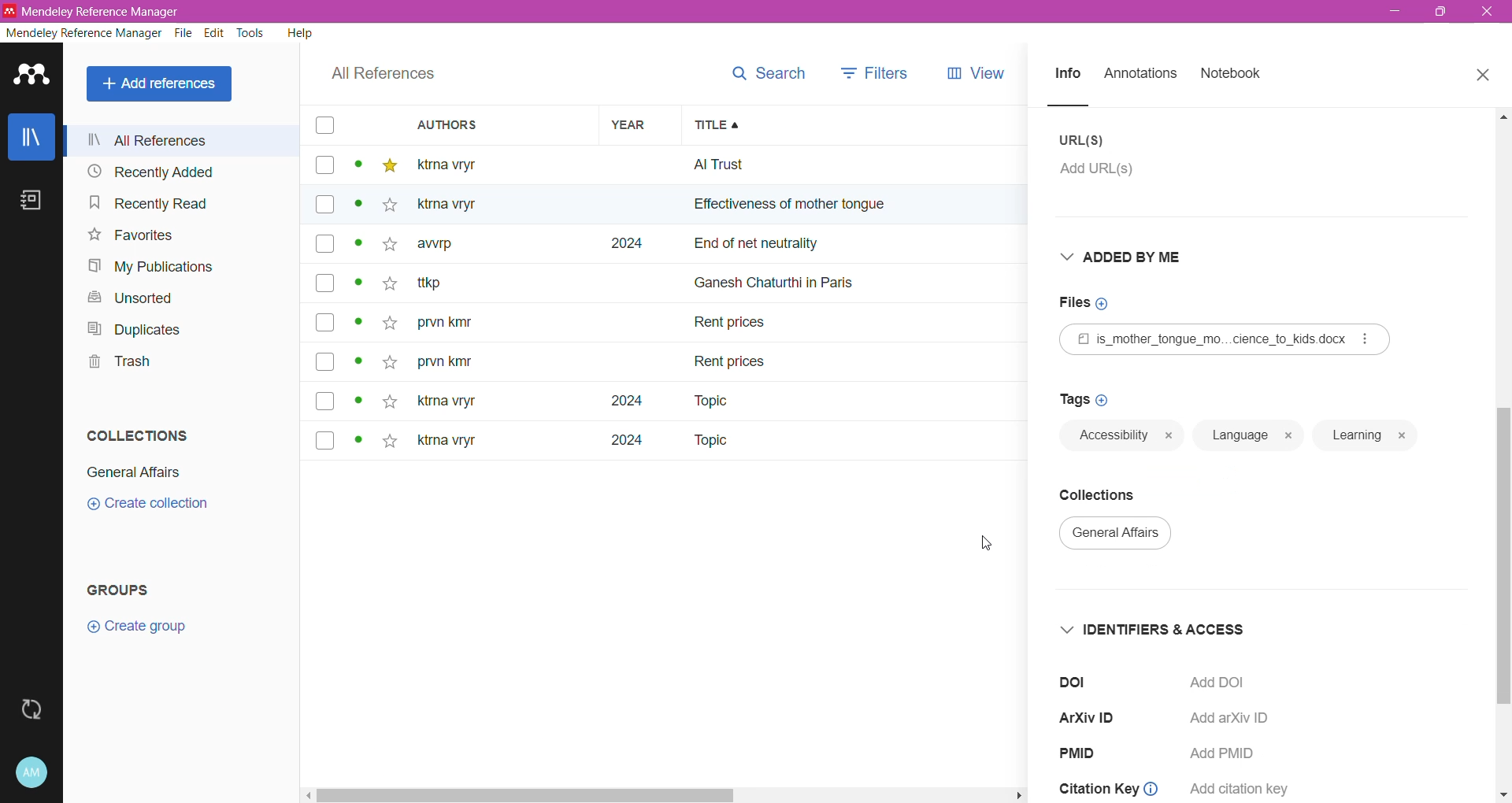  Describe the element at coordinates (358, 248) in the screenshot. I see `dot ` at that location.